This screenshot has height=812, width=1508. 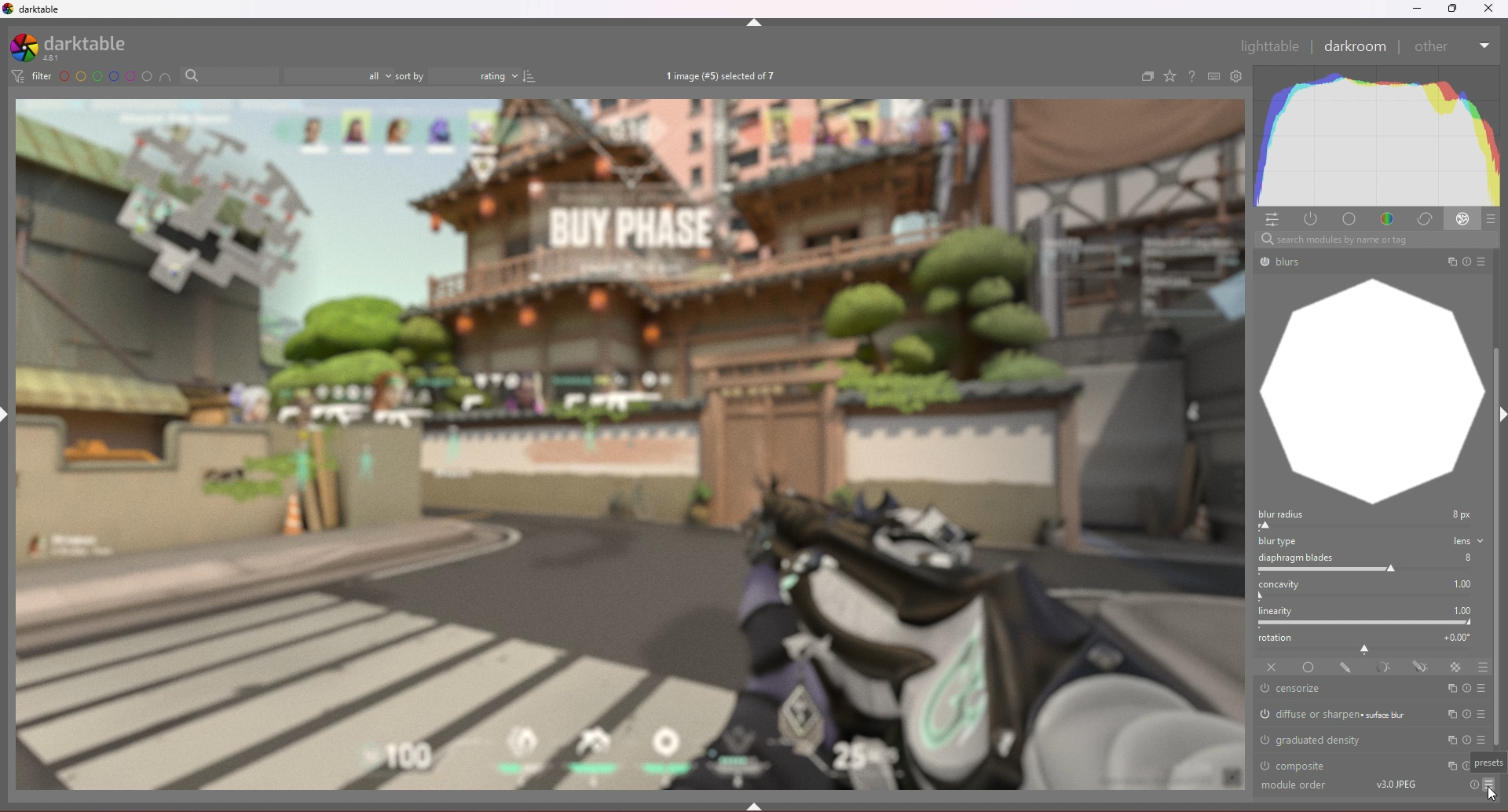 What do you see at coordinates (1347, 668) in the screenshot?
I see `drawn mask` at bounding box center [1347, 668].